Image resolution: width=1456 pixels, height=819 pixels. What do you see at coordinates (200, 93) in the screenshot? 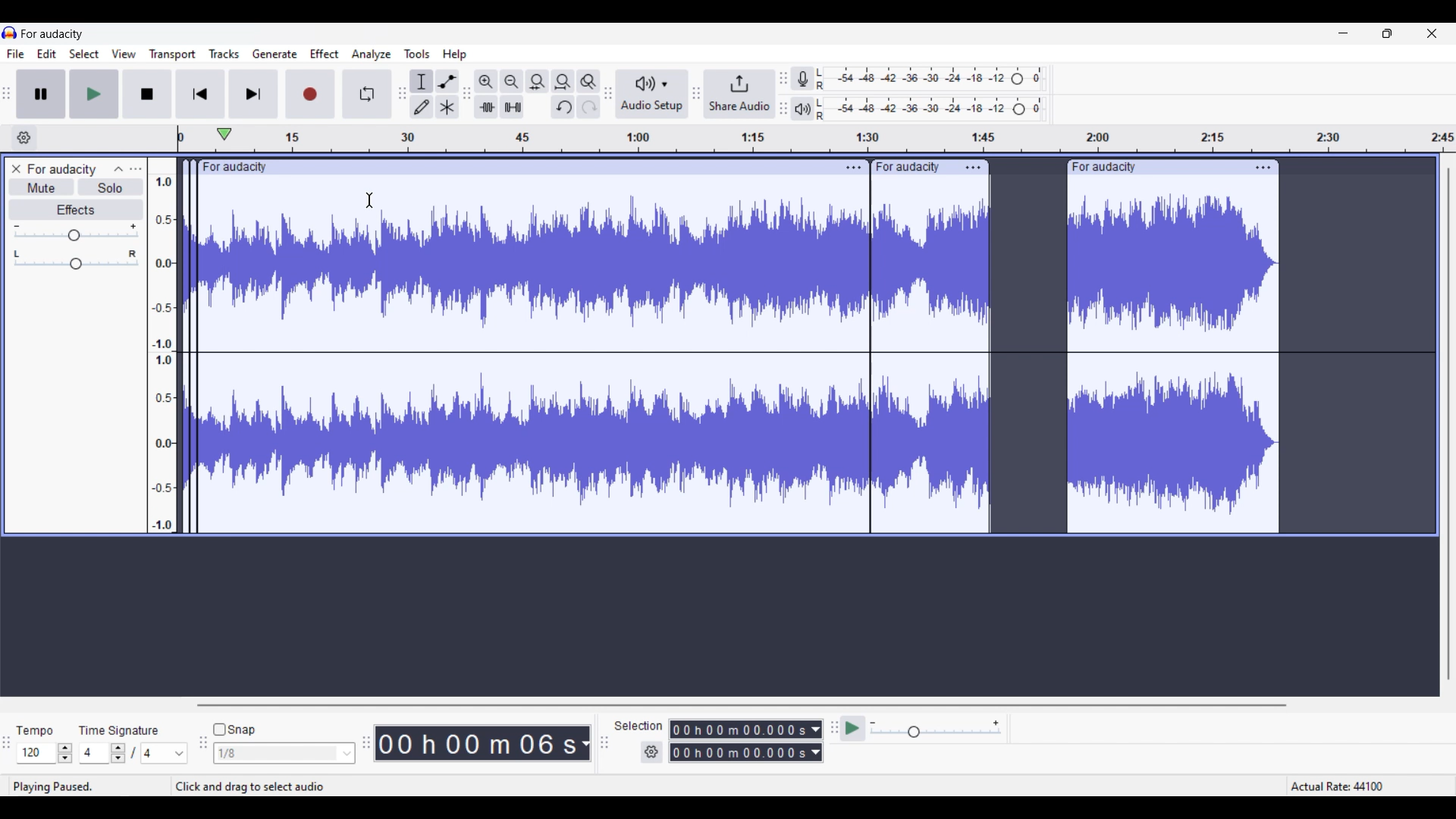
I see `Skip/Select to start` at bounding box center [200, 93].